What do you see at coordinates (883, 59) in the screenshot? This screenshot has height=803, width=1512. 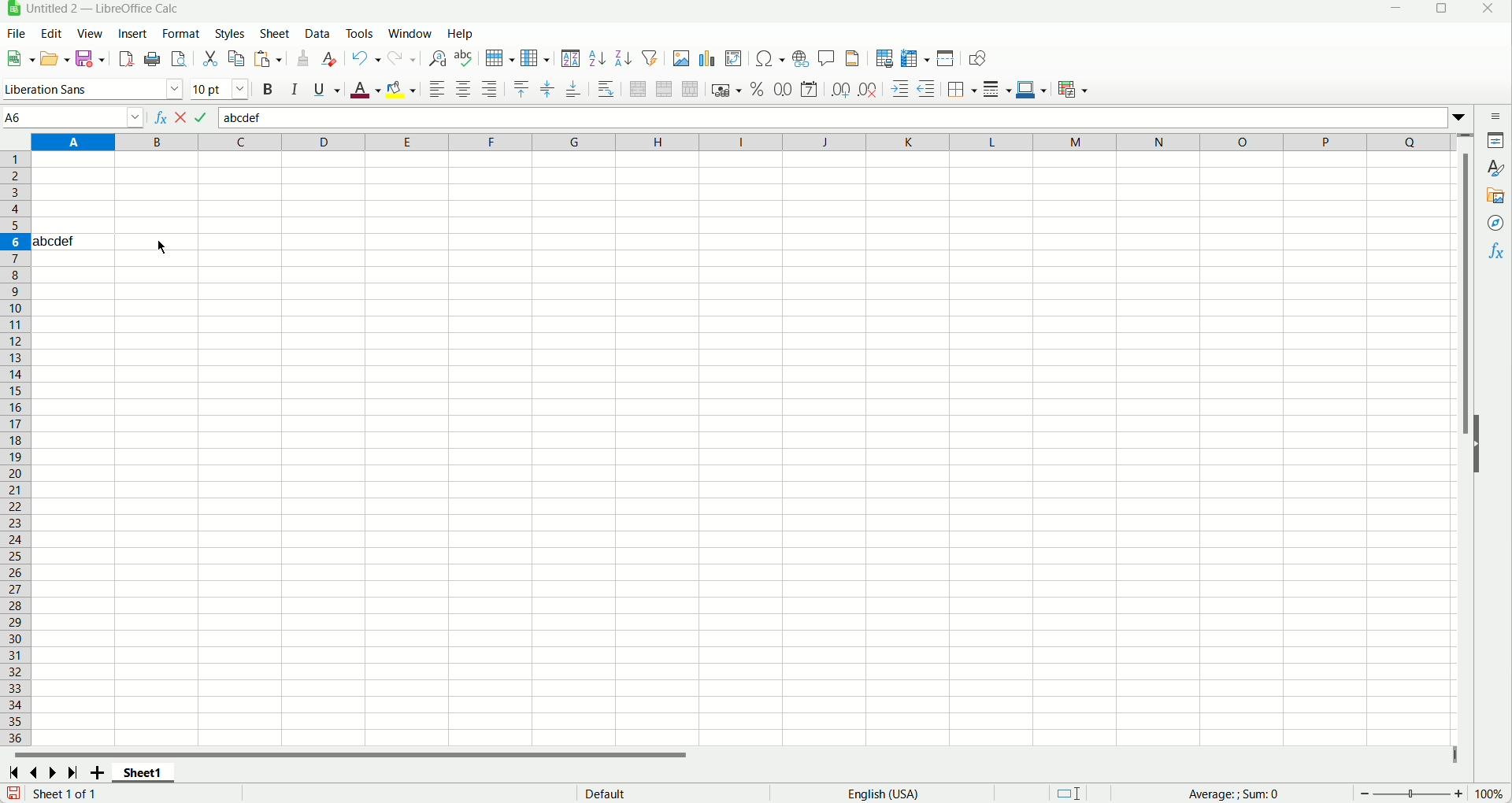 I see `define print area` at bounding box center [883, 59].